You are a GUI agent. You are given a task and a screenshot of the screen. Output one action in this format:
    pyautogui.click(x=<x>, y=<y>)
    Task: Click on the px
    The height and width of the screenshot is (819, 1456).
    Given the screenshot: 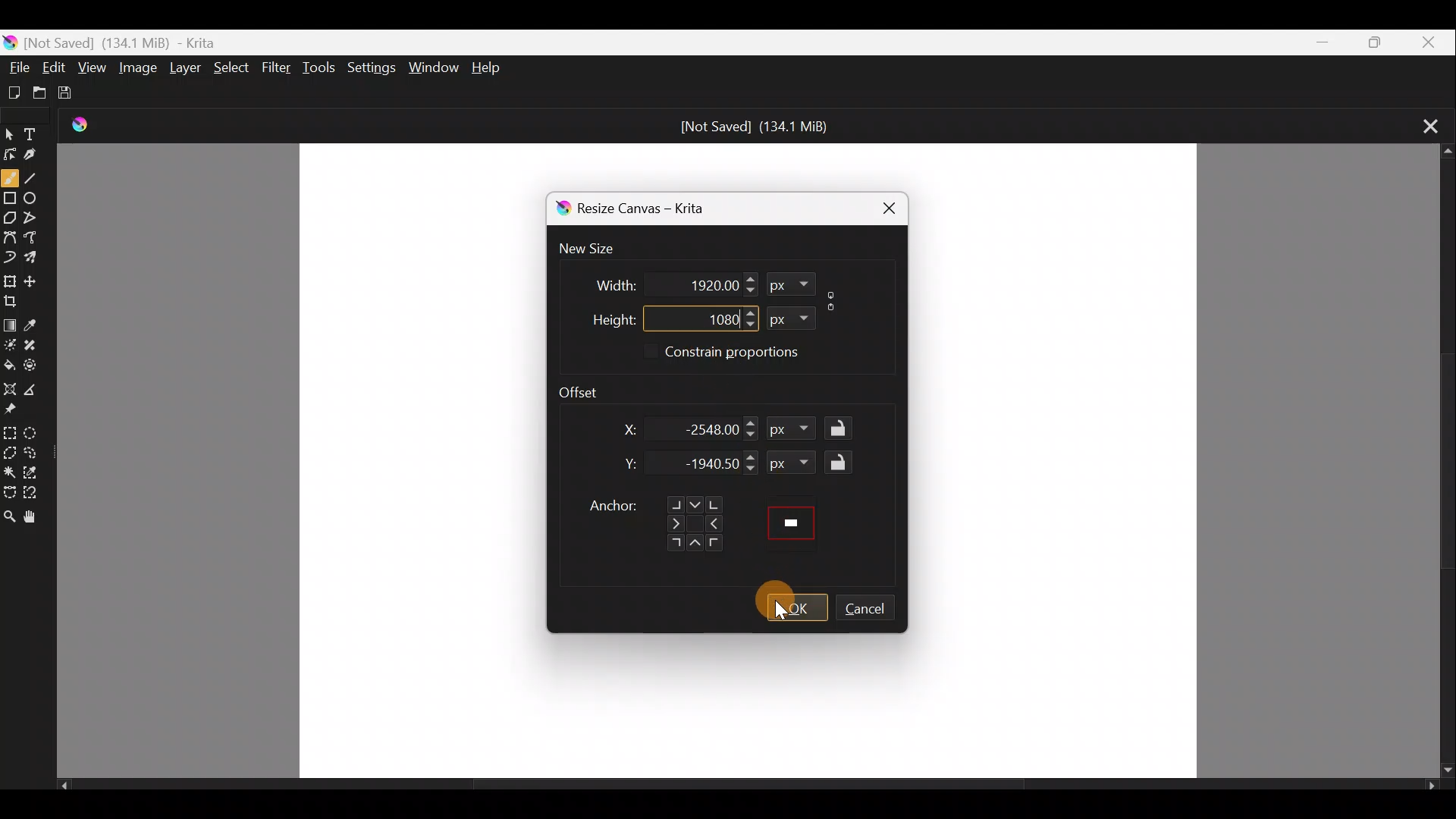 What is the action you would take?
    pyautogui.click(x=790, y=284)
    